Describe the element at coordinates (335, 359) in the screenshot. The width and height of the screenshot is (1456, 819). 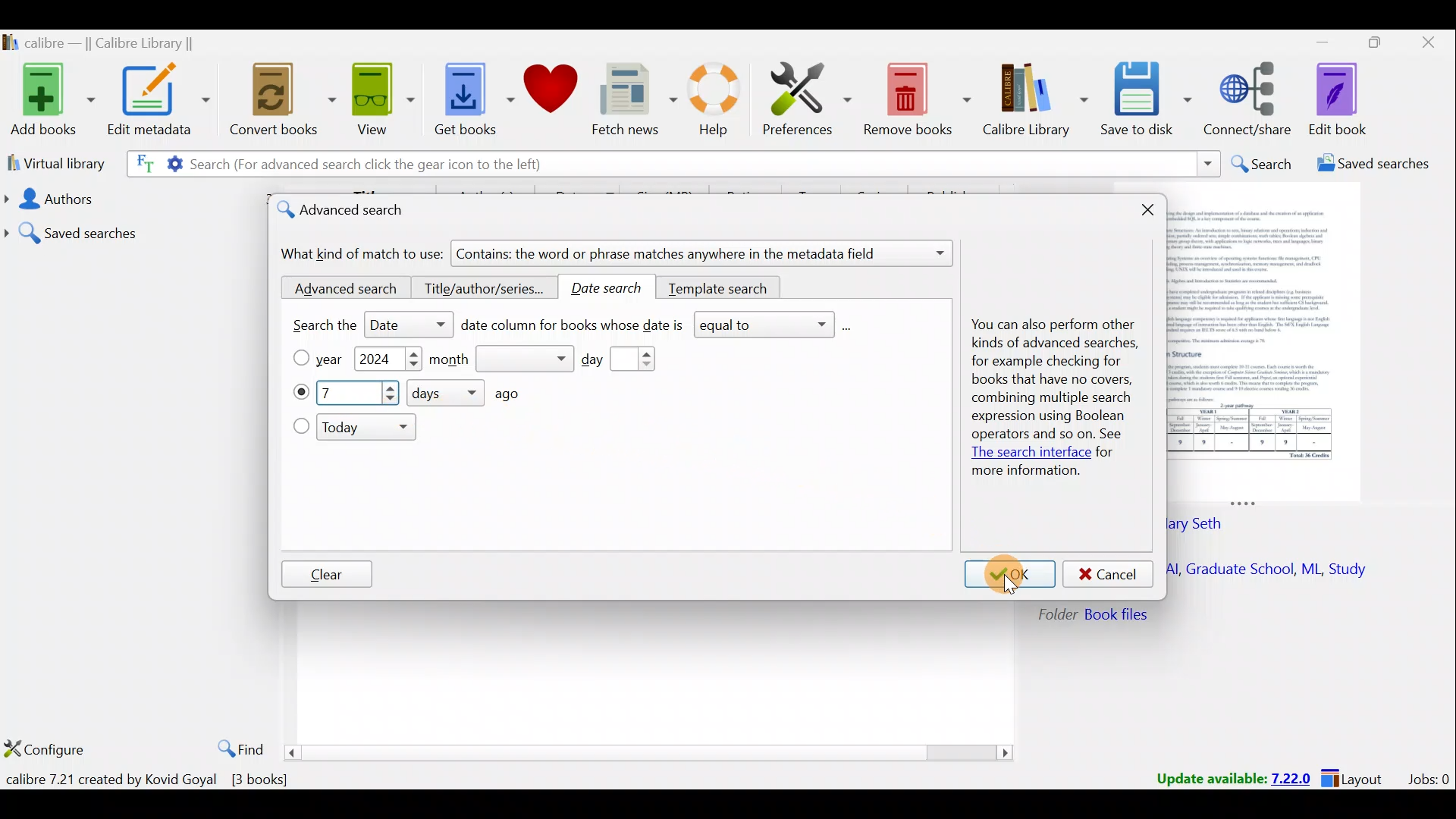
I see `Year` at that location.